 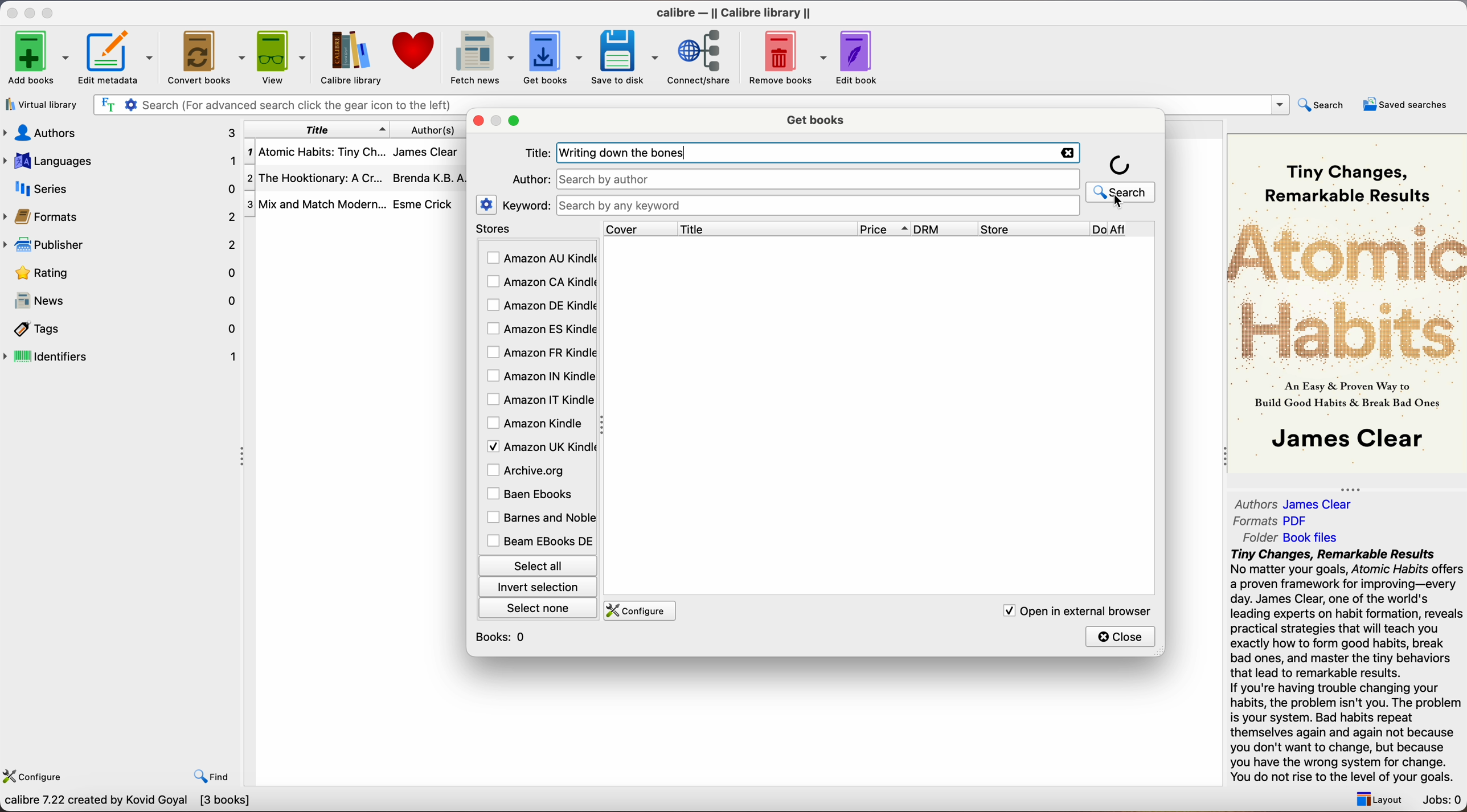 What do you see at coordinates (1065, 153) in the screenshot?
I see `clear` at bounding box center [1065, 153].